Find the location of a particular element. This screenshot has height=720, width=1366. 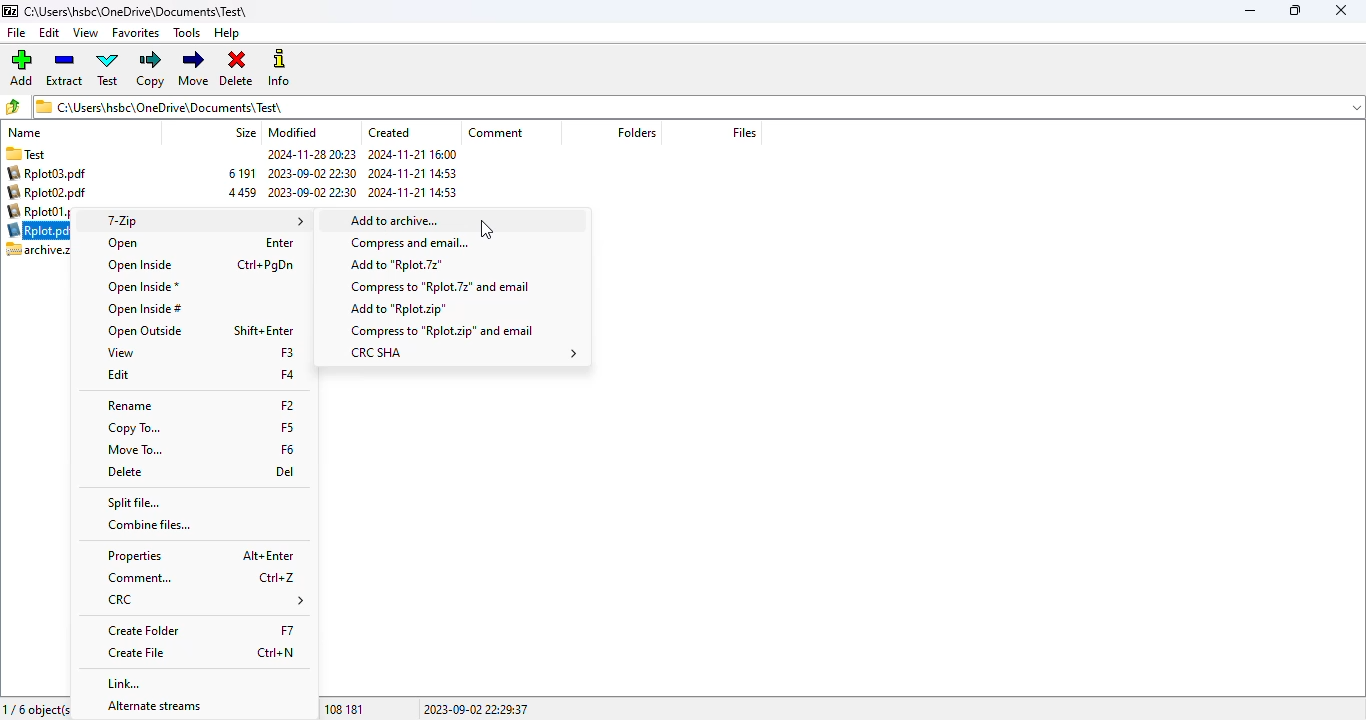

current folder is located at coordinates (137, 11).